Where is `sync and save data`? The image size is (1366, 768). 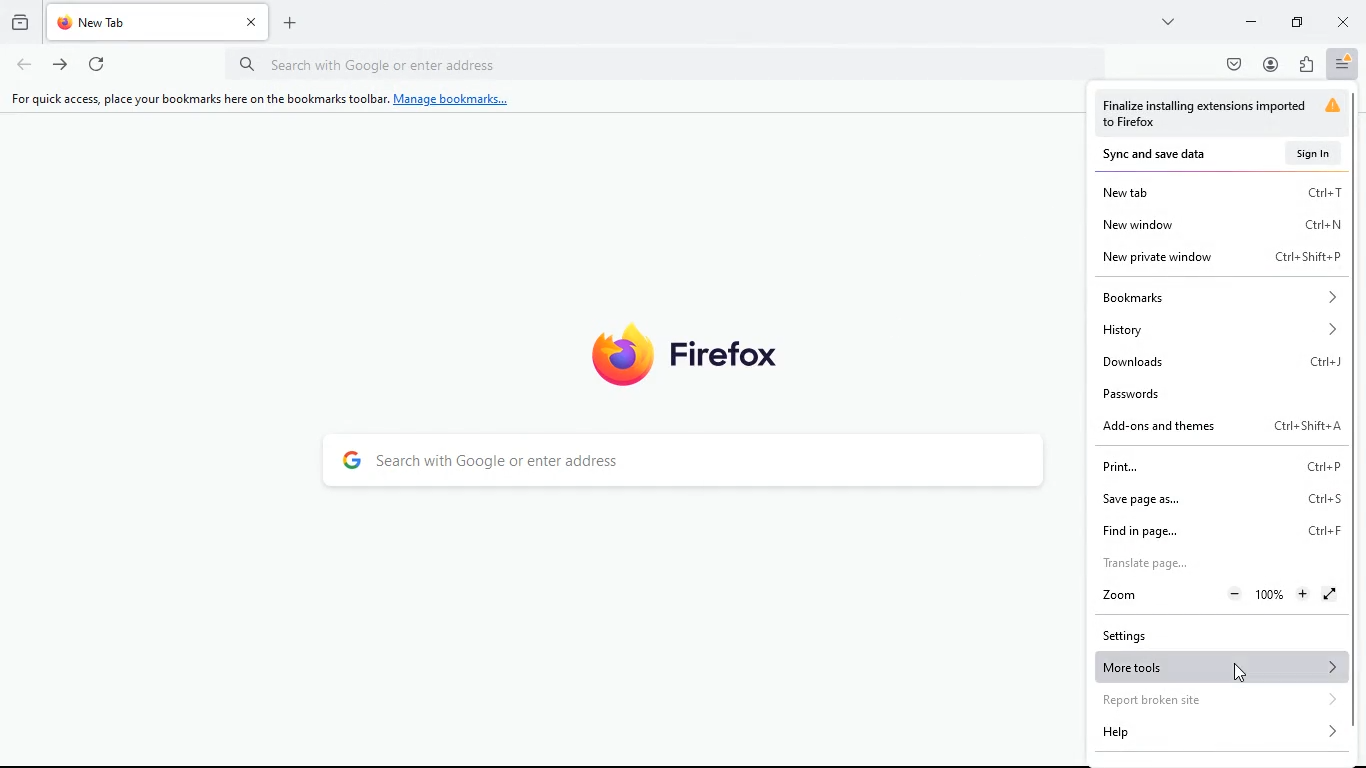
sync and save data is located at coordinates (1169, 155).